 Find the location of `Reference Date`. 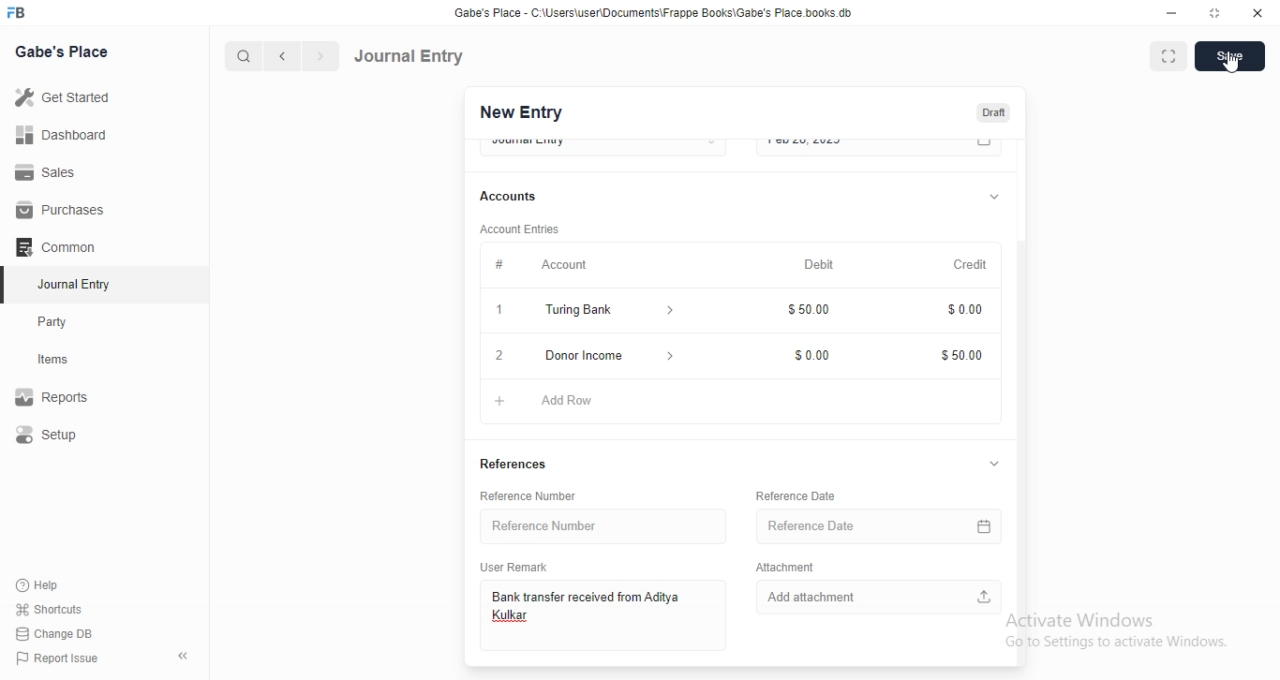

Reference Date is located at coordinates (796, 495).